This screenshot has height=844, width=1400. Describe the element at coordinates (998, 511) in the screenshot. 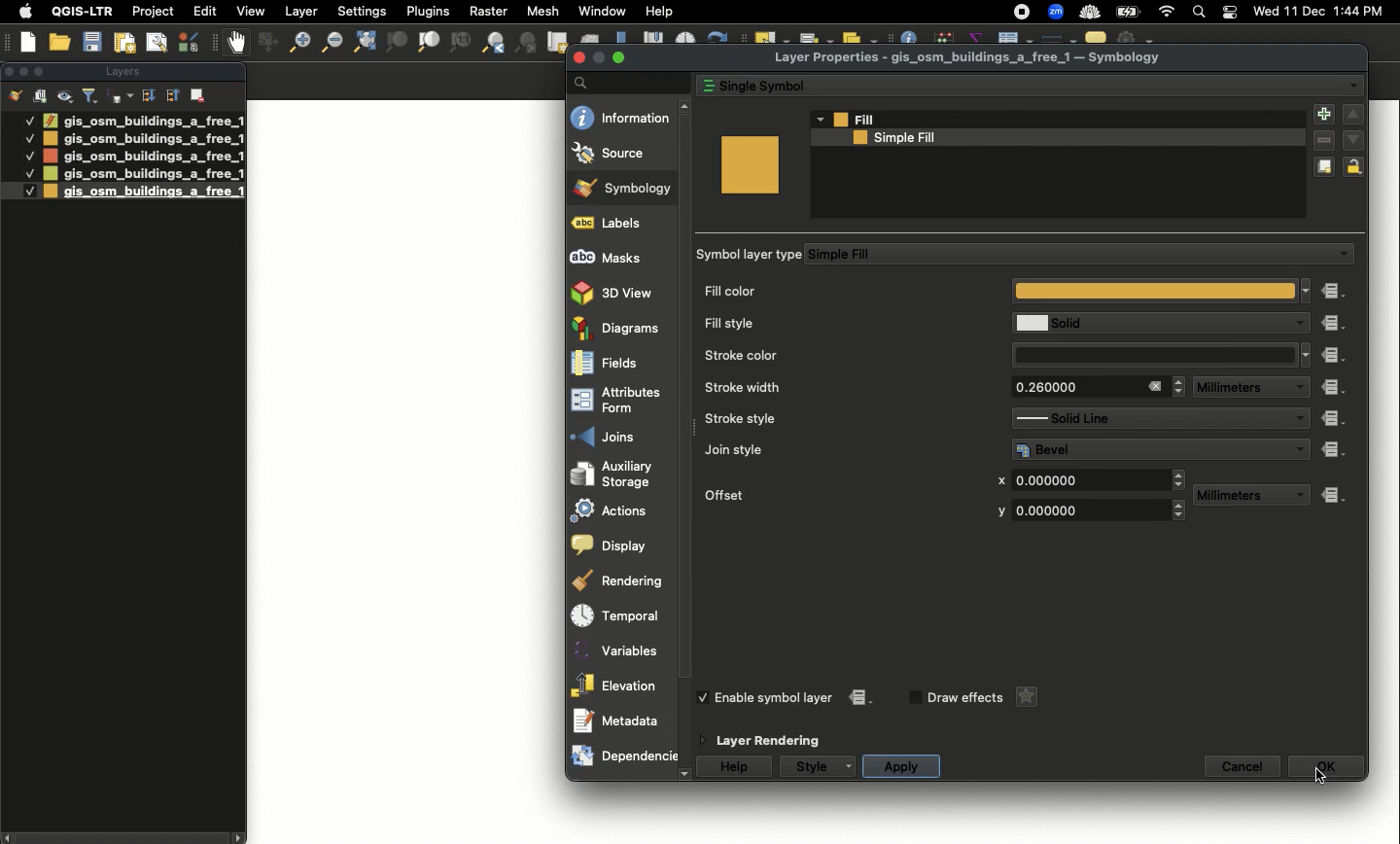

I see `y` at that location.